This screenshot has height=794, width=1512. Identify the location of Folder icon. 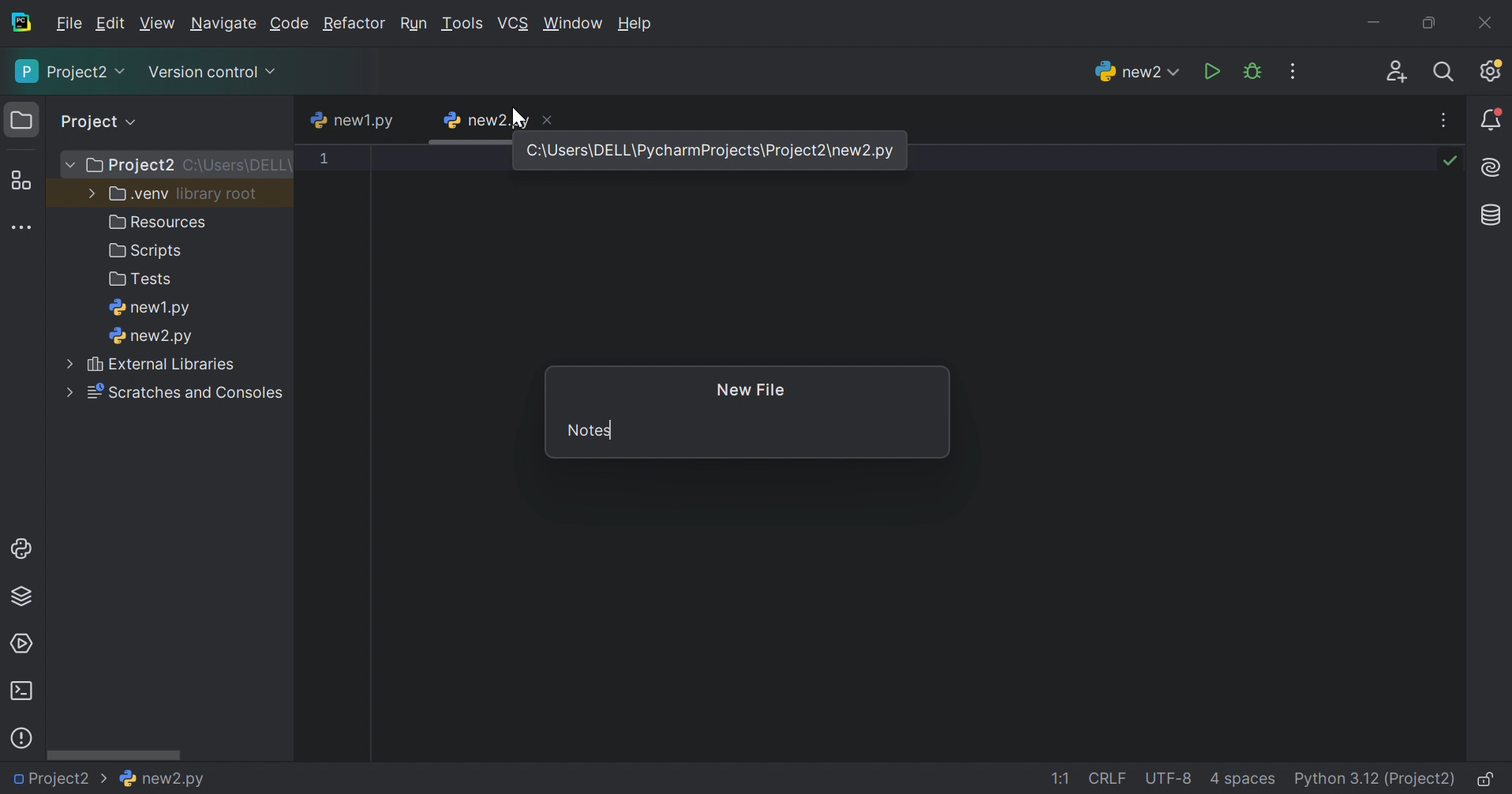
(18, 118).